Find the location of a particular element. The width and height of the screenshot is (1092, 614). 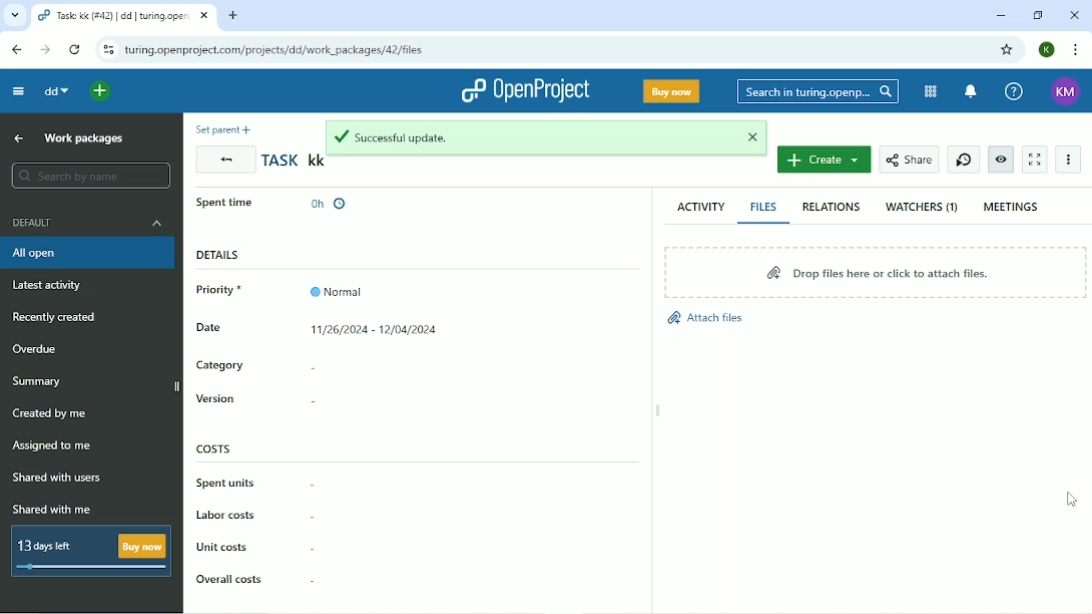

Spent units is located at coordinates (255, 482).